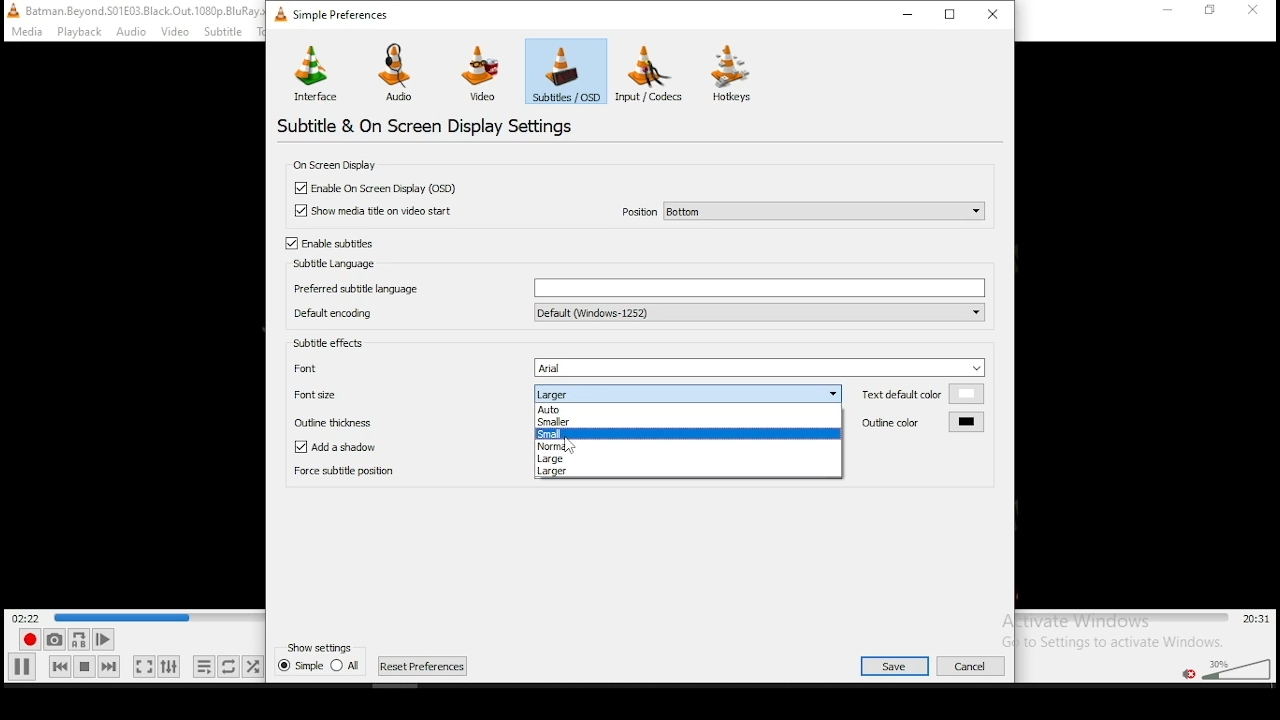 The width and height of the screenshot is (1280, 720). I want to click on default encoding, so click(636, 312).